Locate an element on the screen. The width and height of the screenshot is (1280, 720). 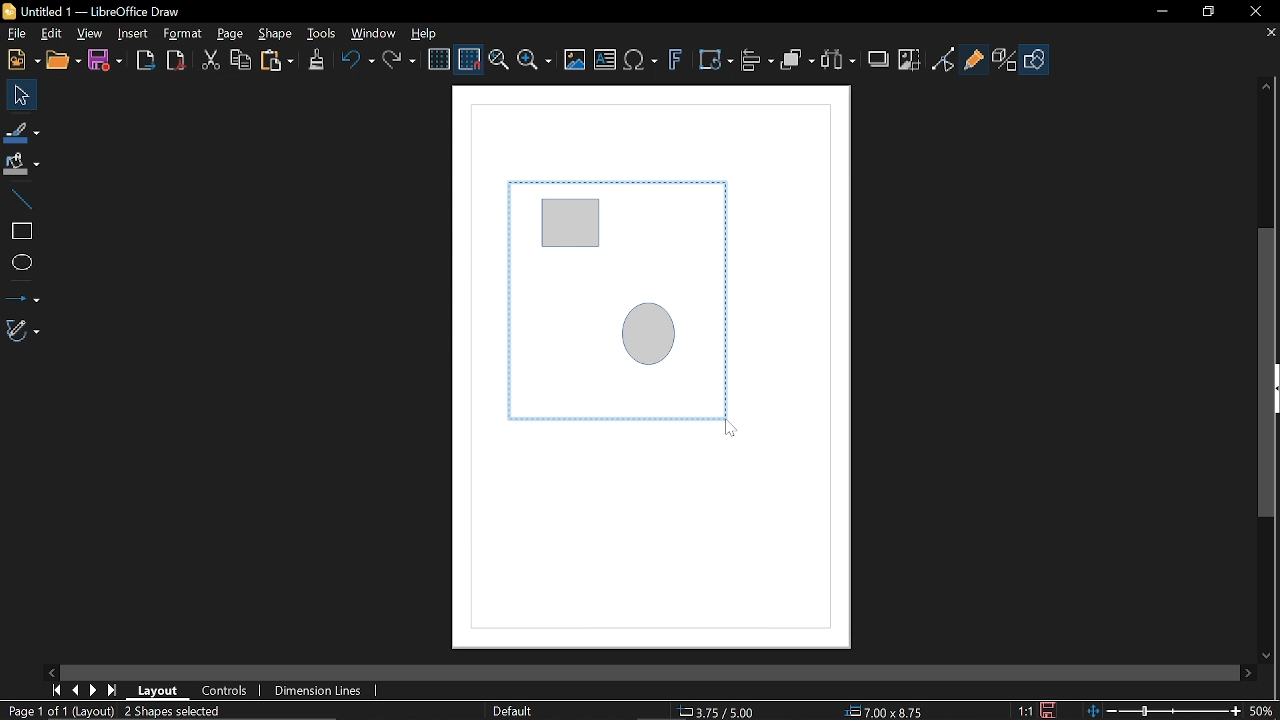
Last page is located at coordinates (115, 691).